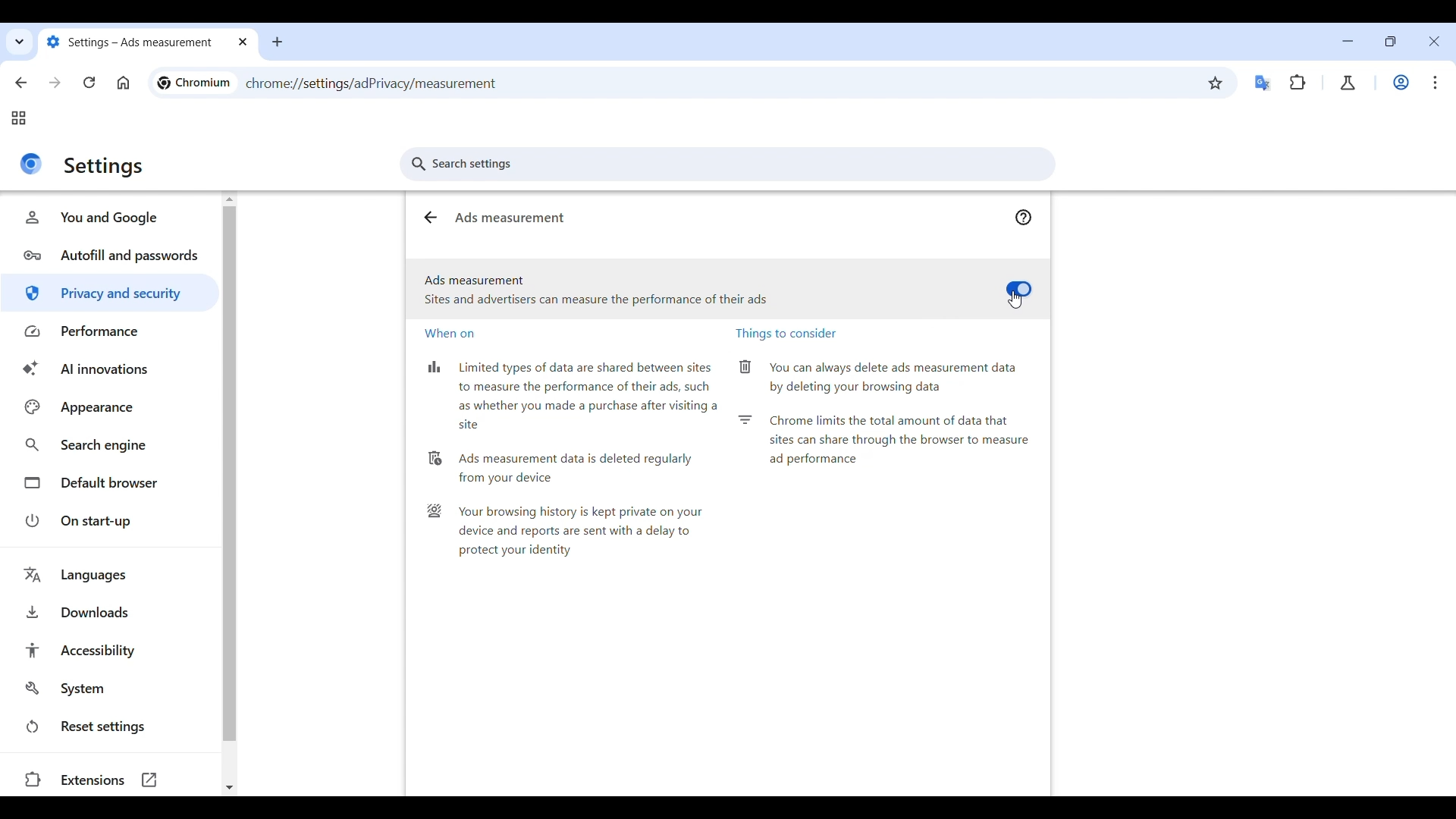 The height and width of the screenshot is (819, 1456). What do you see at coordinates (573, 395) in the screenshot?
I see `Limited types of data are shared between sites
to measure the performance of their ads, such
as whether you made a purchase after visiting a
site` at bounding box center [573, 395].